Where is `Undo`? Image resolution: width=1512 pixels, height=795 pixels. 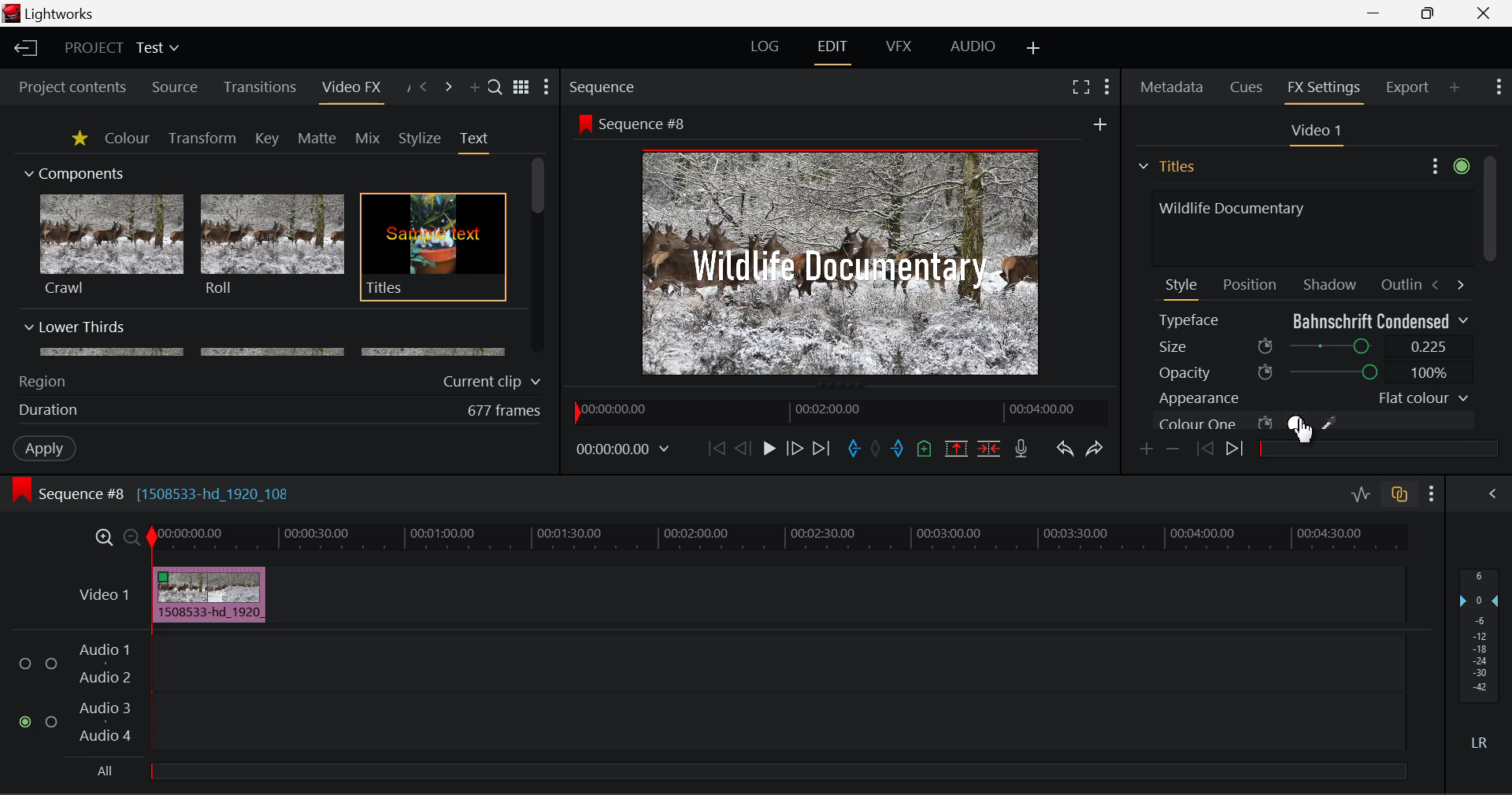 Undo is located at coordinates (1065, 450).